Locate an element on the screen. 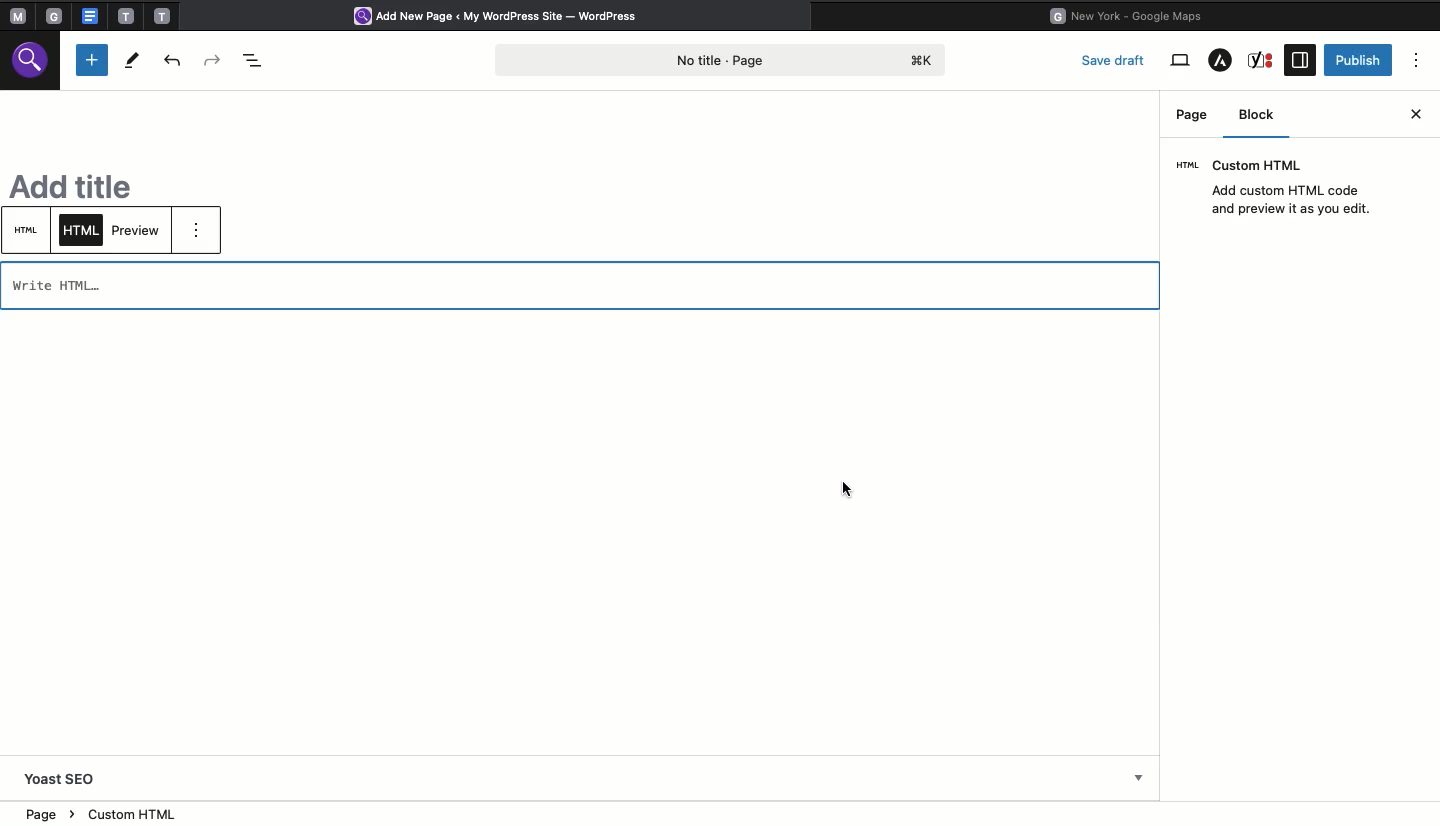 This screenshot has height=826, width=1440. View is located at coordinates (1180, 61).